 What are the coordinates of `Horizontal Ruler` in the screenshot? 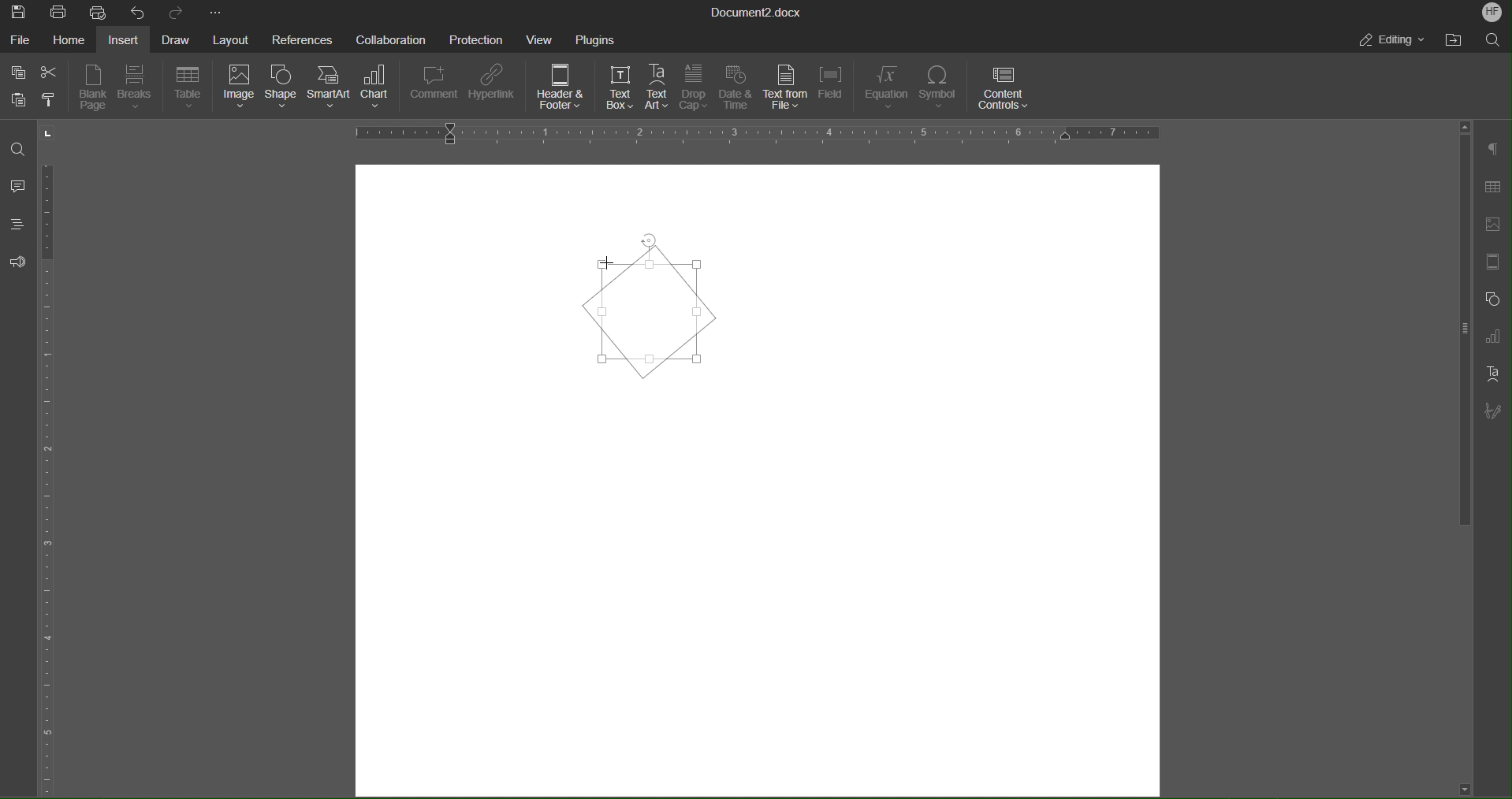 It's located at (755, 134).